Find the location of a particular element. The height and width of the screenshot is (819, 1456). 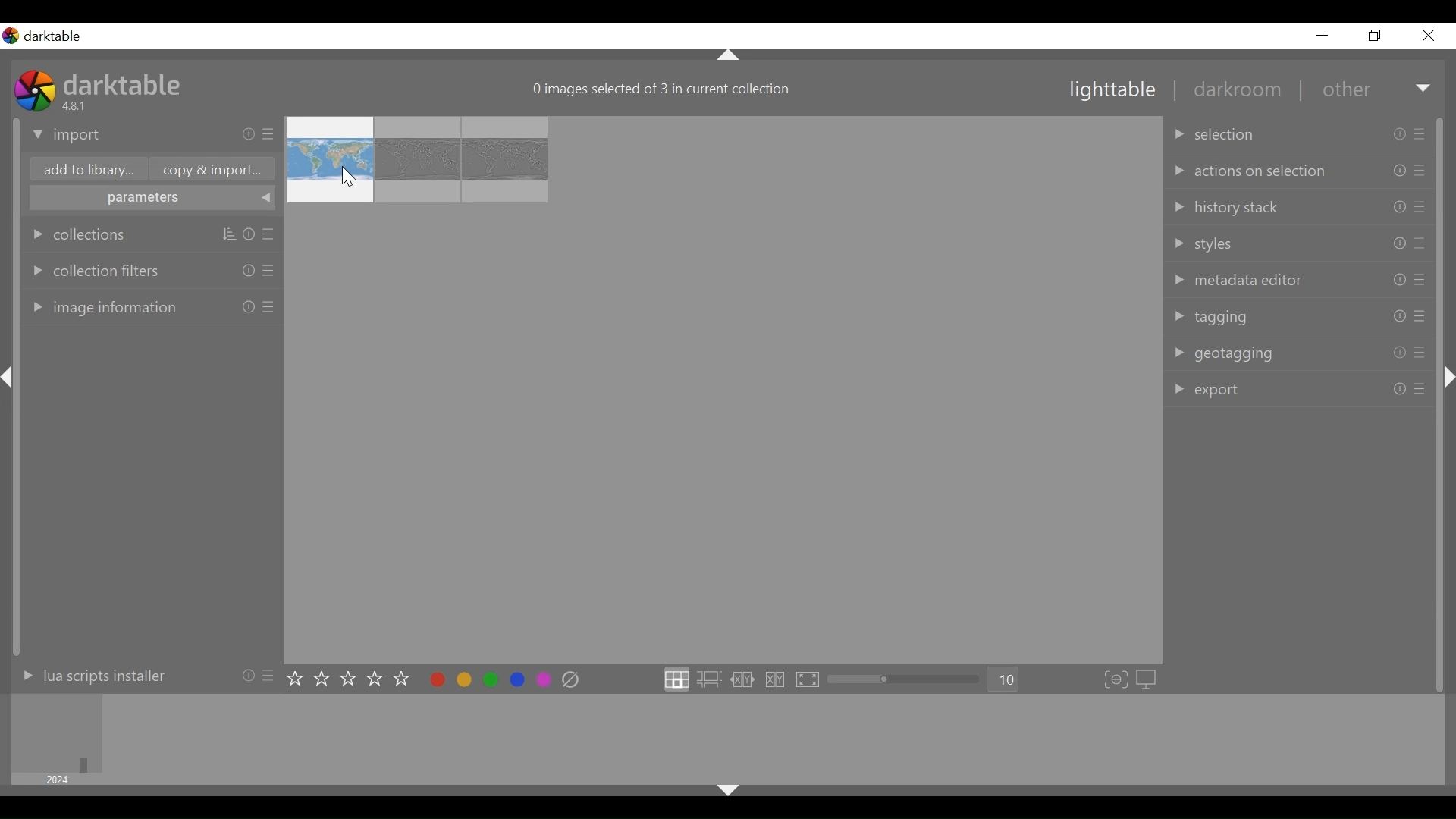

click to enter file manager layout is located at coordinates (676, 679).